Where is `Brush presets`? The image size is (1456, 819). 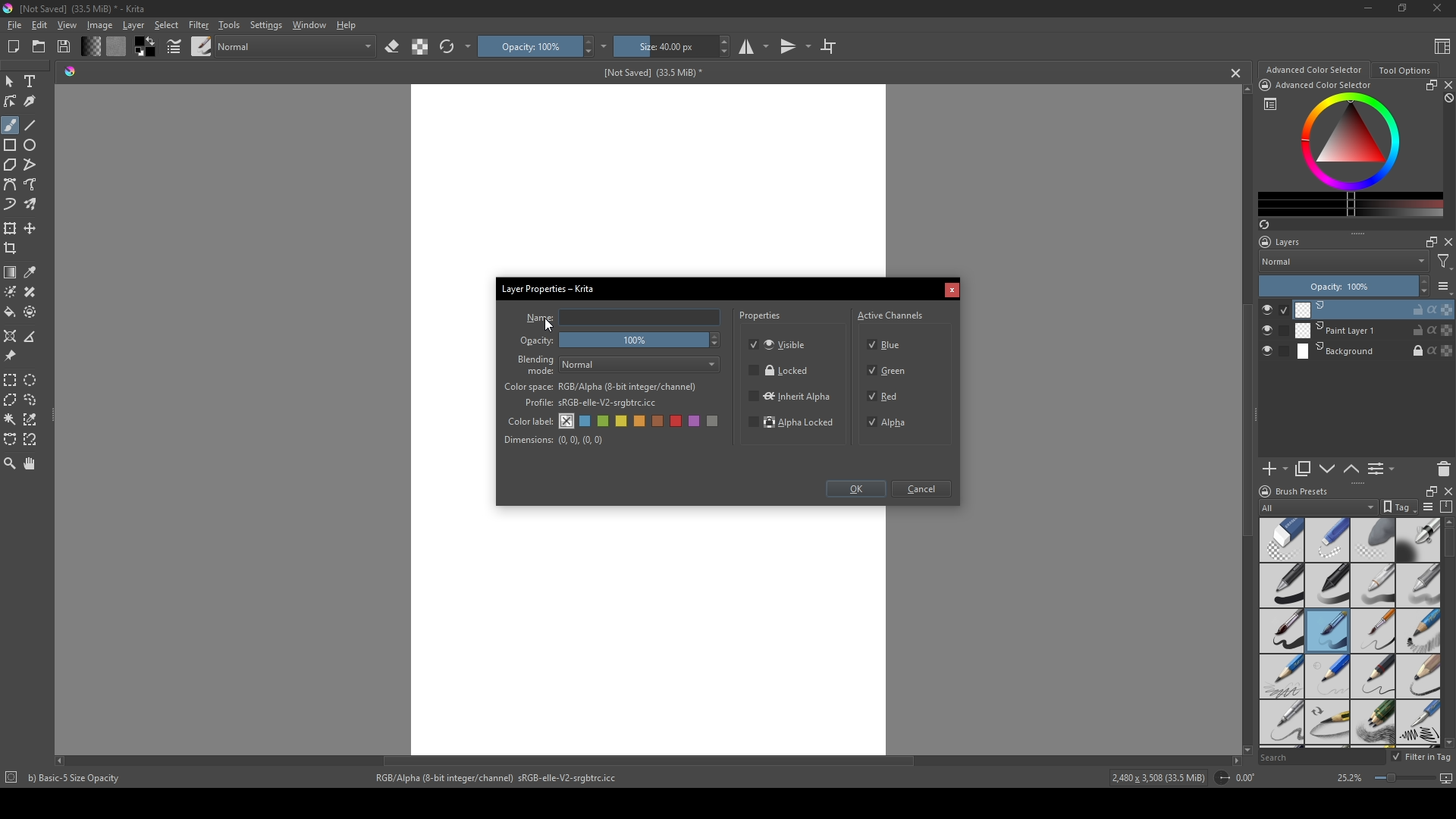
Brush presets is located at coordinates (1303, 491).